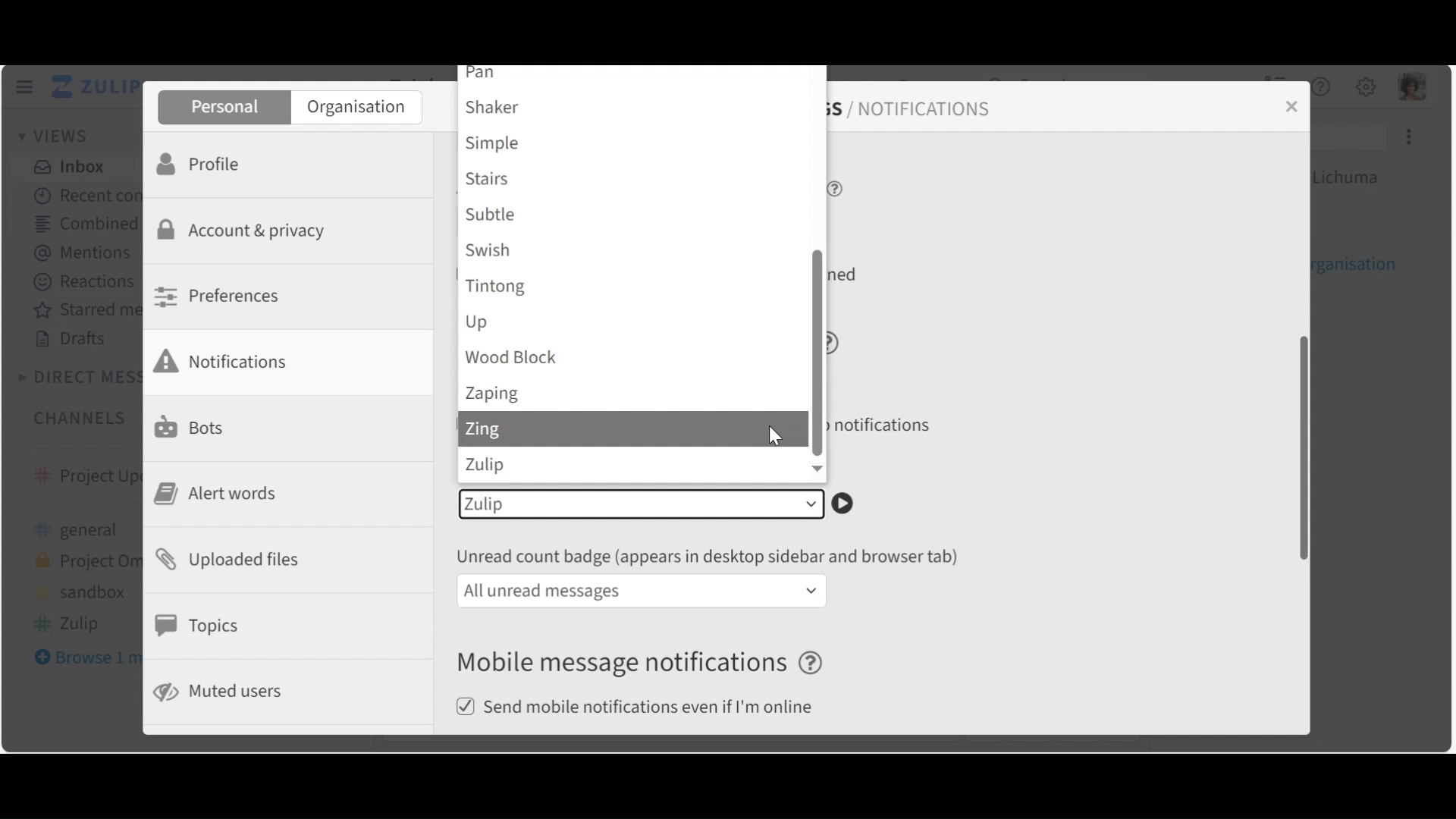 This screenshot has width=1456, height=819. What do you see at coordinates (641, 708) in the screenshot?
I see `Send mobile notifications even if I'm online` at bounding box center [641, 708].